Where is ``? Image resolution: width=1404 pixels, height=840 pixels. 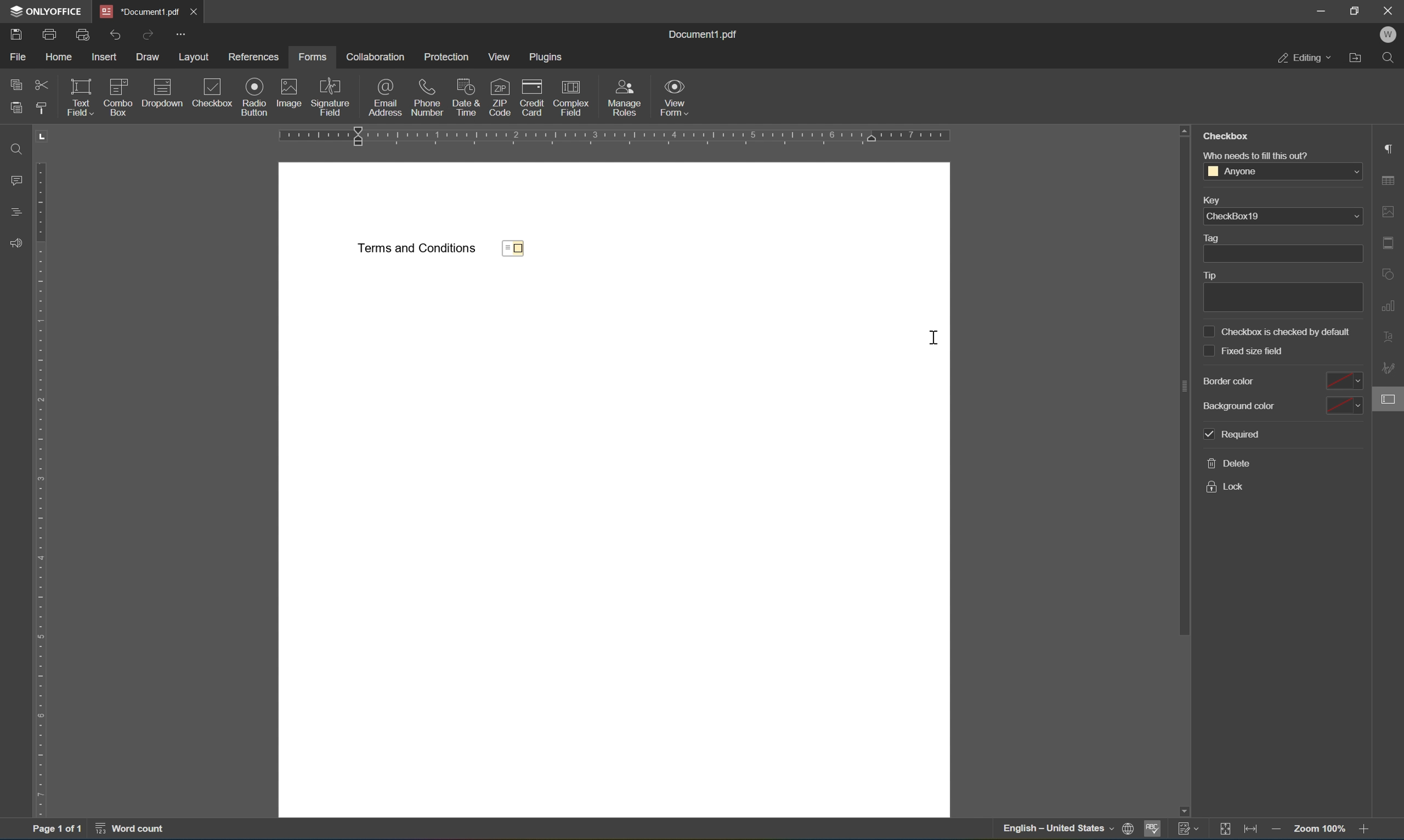  is located at coordinates (628, 97).